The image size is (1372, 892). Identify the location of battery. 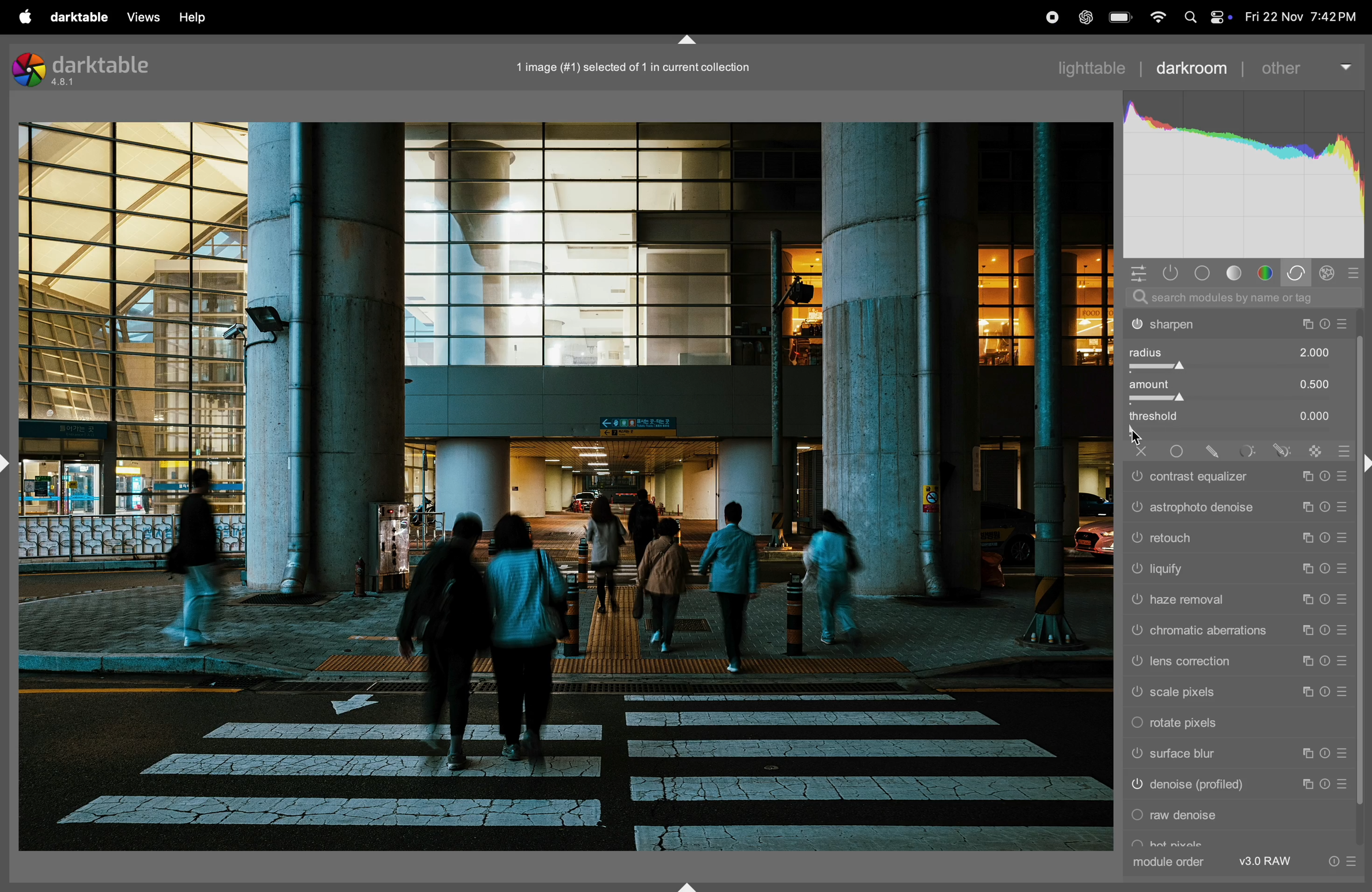
(1121, 17).